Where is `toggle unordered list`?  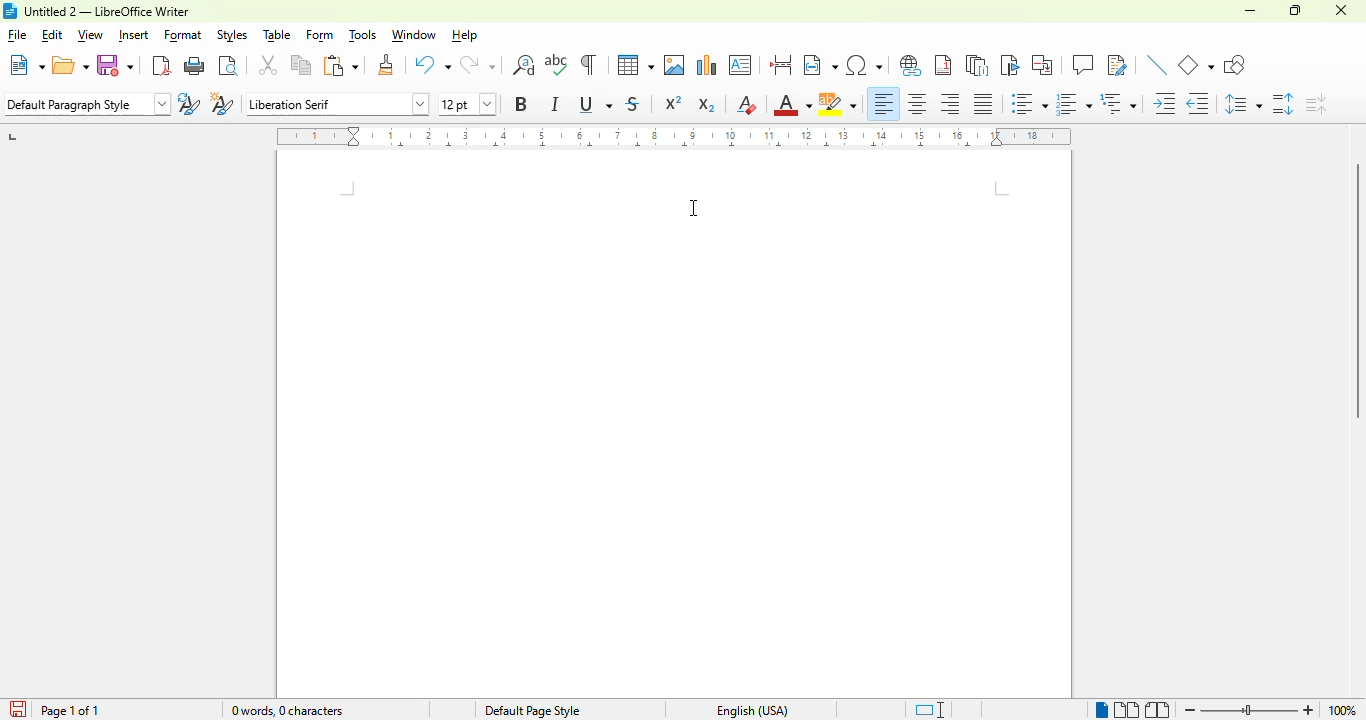
toggle unordered list is located at coordinates (1029, 103).